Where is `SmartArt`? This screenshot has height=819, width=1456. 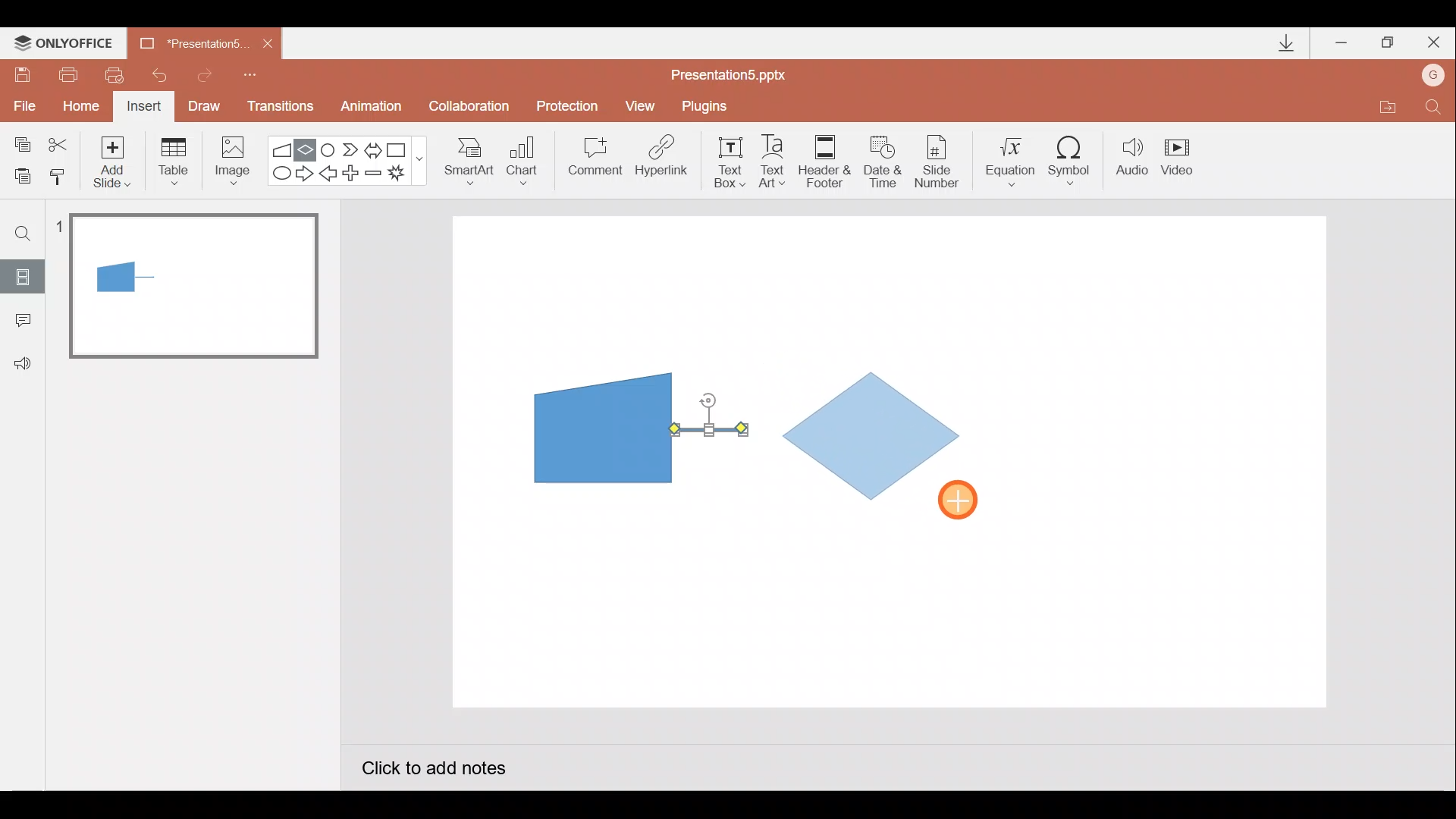 SmartArt is located at coordinates (463, 160).